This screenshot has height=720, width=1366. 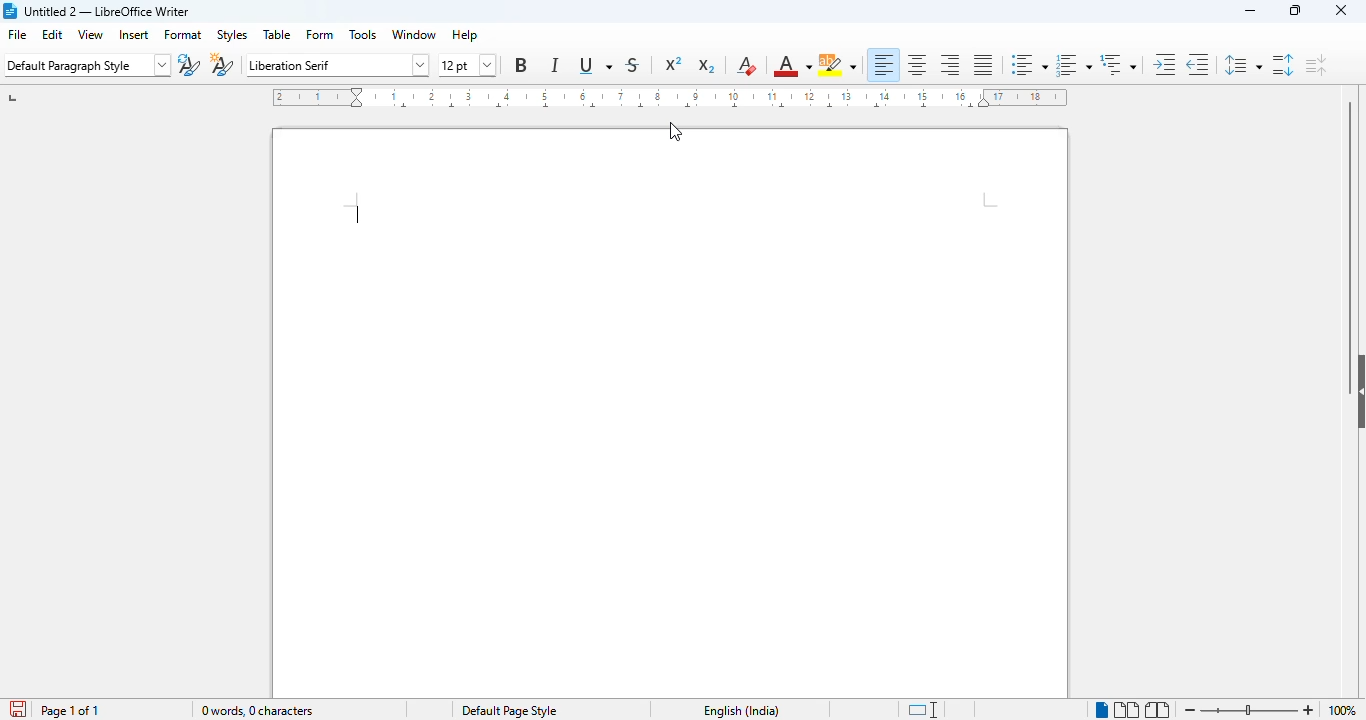 I want to click on decrease paragraph spacing, so click(x=1316, y=64).